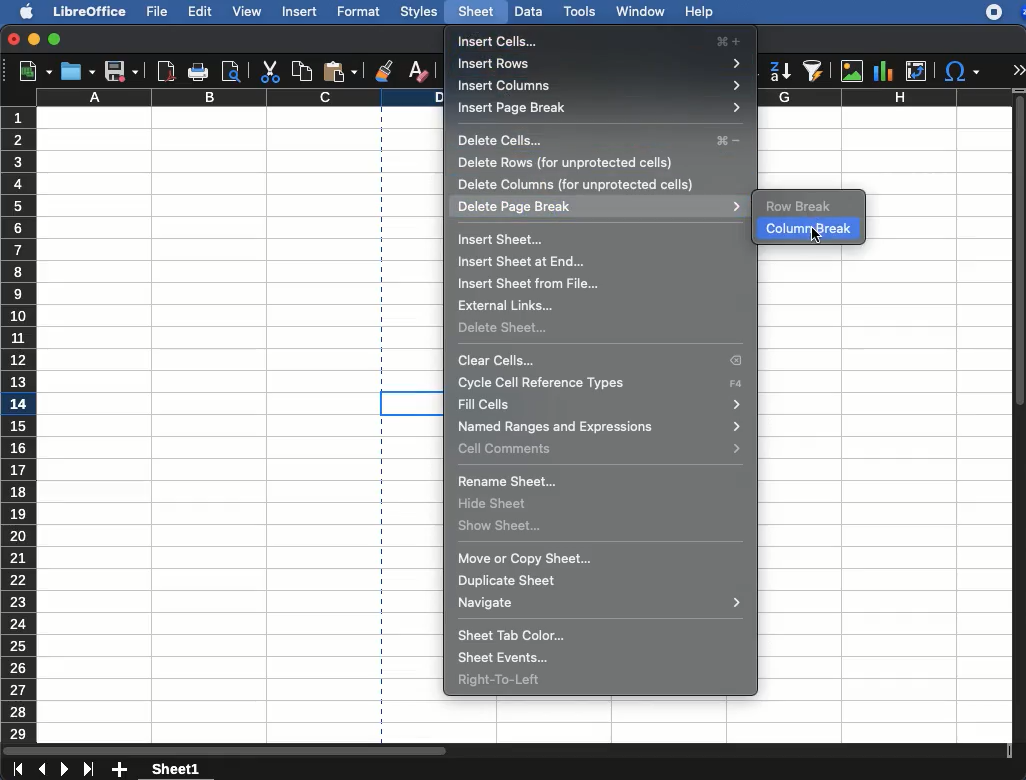 The width and height of the screenshot is (1026, 780). I want to click on fill cells, so click(602, 405).